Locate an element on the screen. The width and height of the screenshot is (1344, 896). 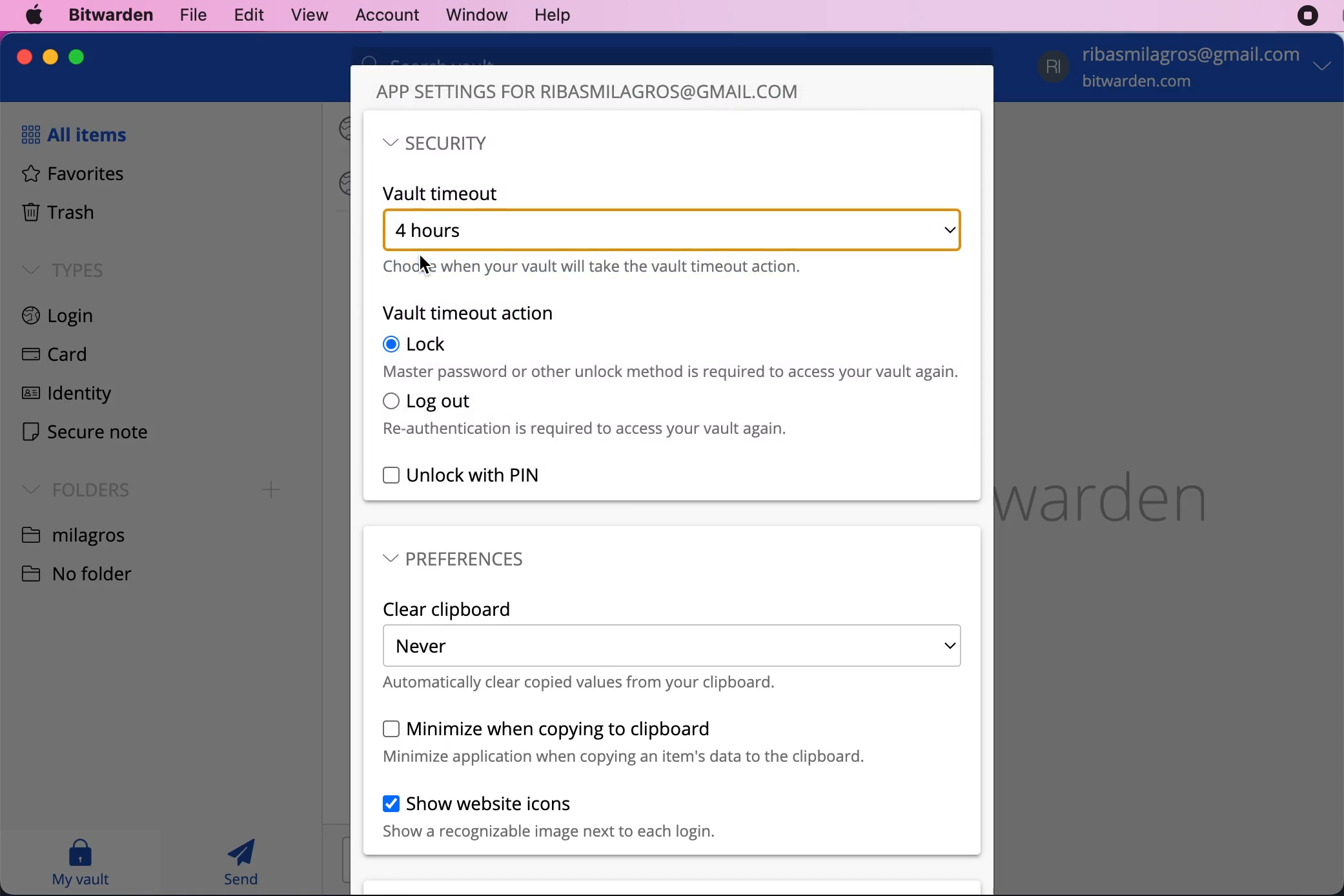
preferences is located at coordinates (455, 558).